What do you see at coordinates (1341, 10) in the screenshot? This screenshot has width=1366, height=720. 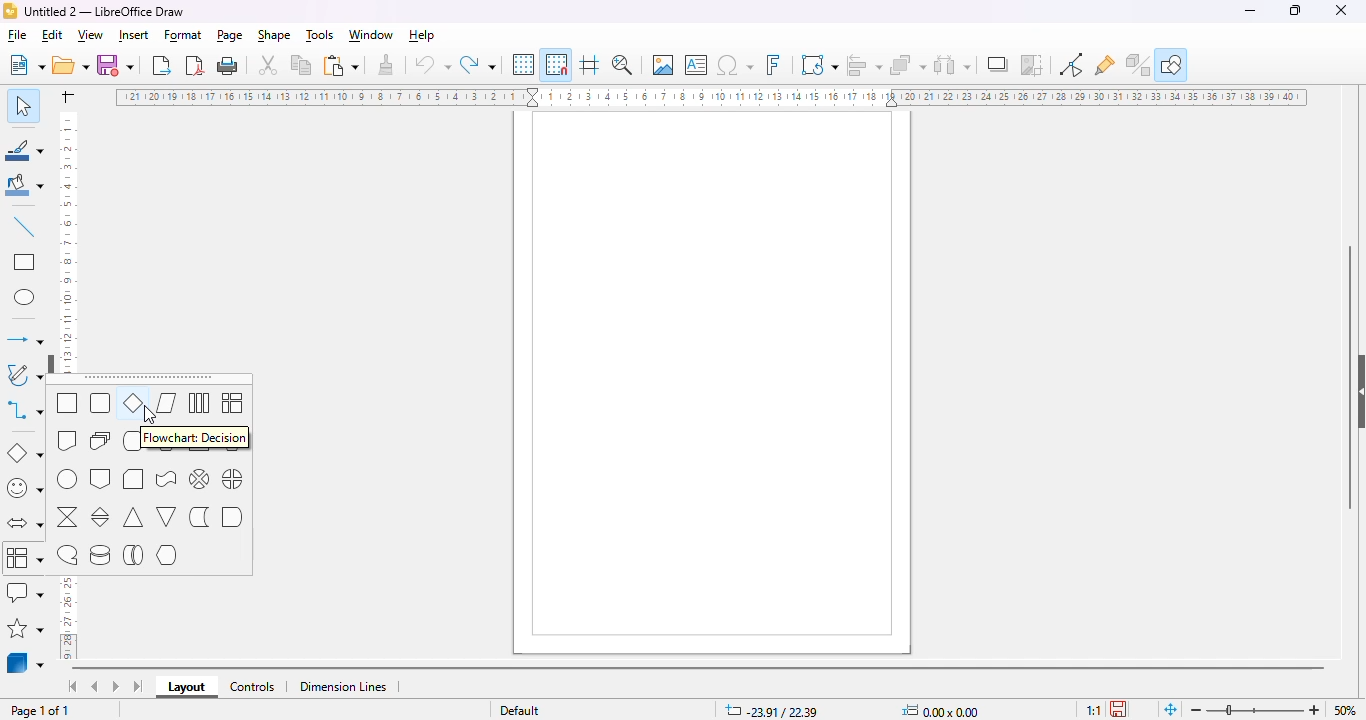 I see `close` at bounding box center [1341, 10].